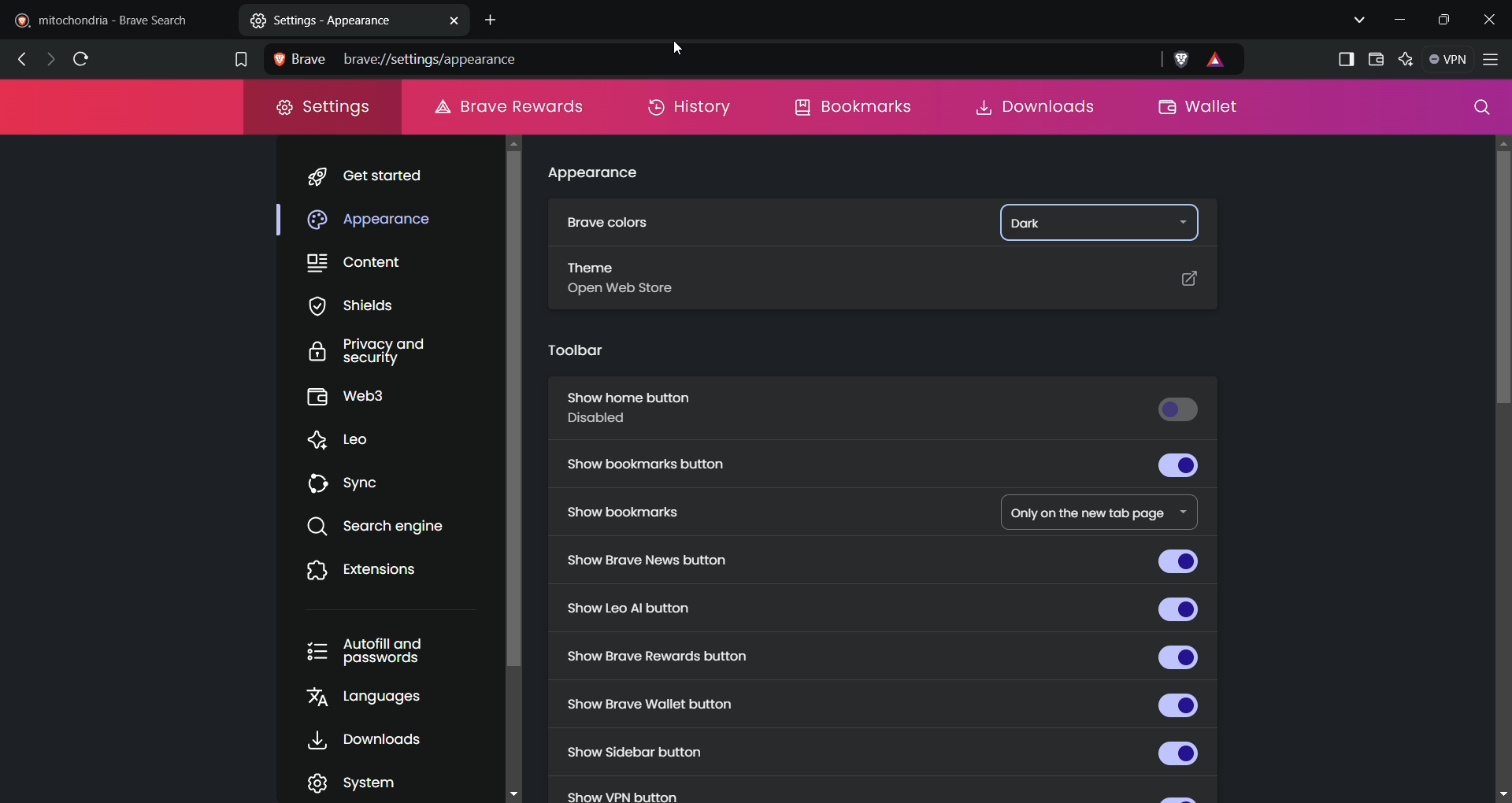 The height and width of the screenshot is (803, 1512). Describe the element at coordinates (1065, 223) in the screenshot. I see `dark` at that location.